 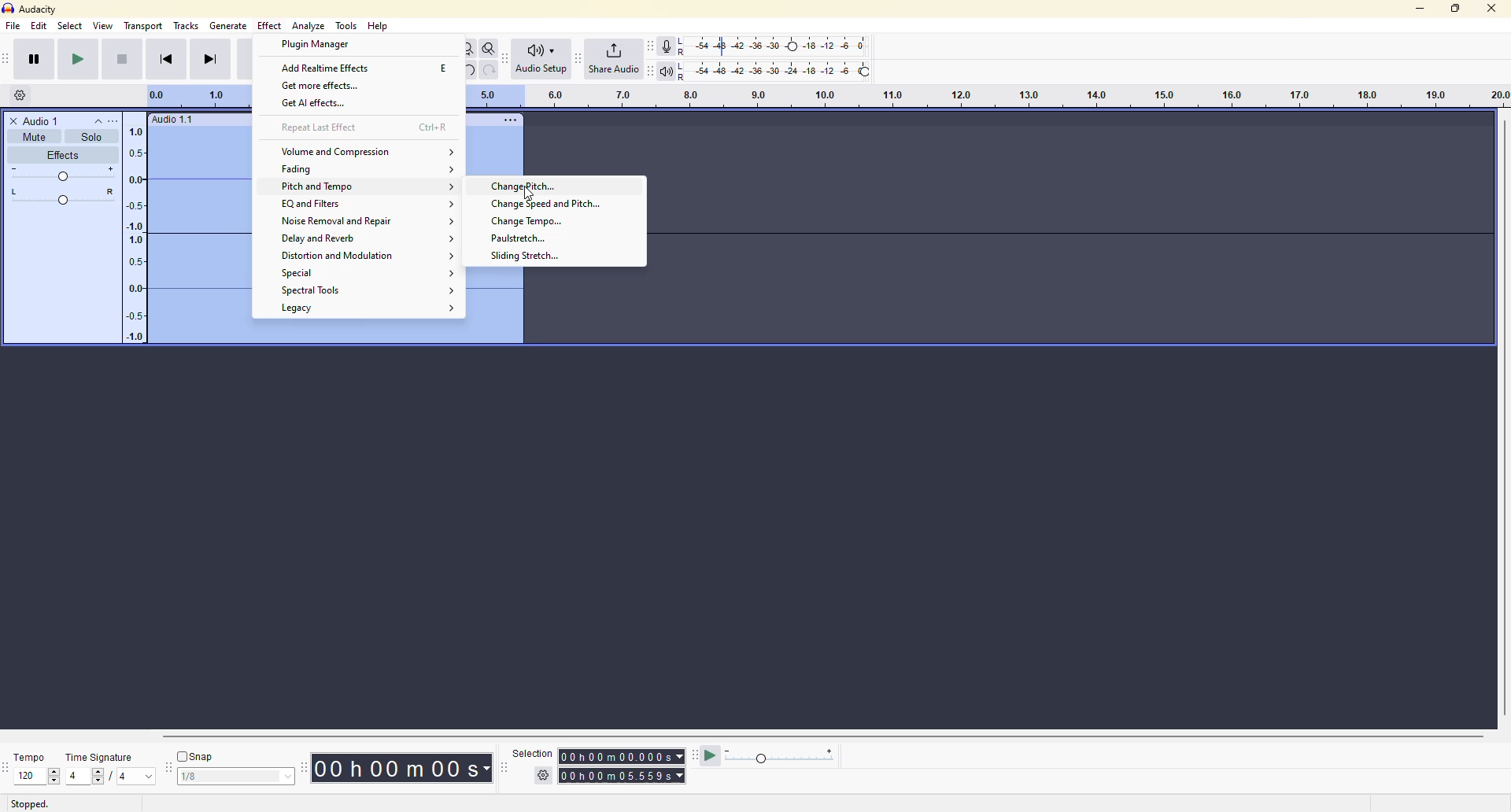 What do you see at coordinates (650, 69) in the screenshot?
I see `playback meter toolbar` at bounding box center [650, 69].